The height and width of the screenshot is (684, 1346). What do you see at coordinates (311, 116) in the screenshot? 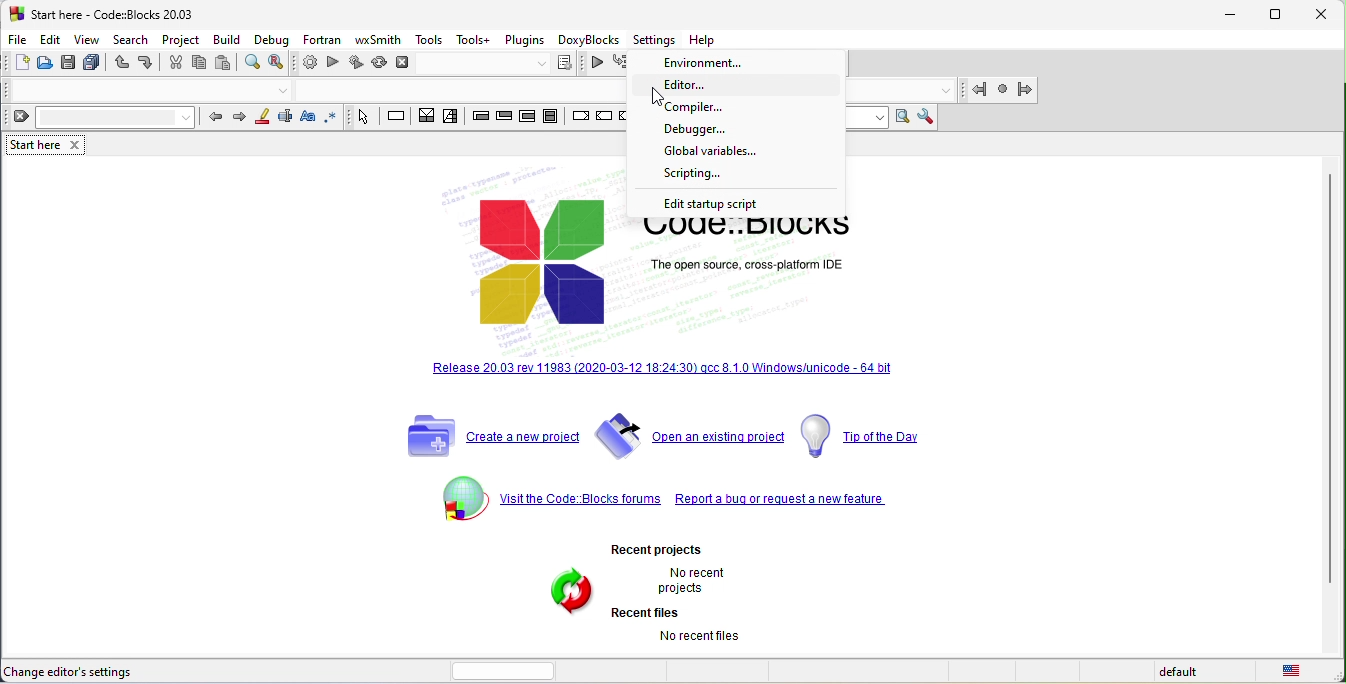
I see `match case` at bounding box center [311, 116].